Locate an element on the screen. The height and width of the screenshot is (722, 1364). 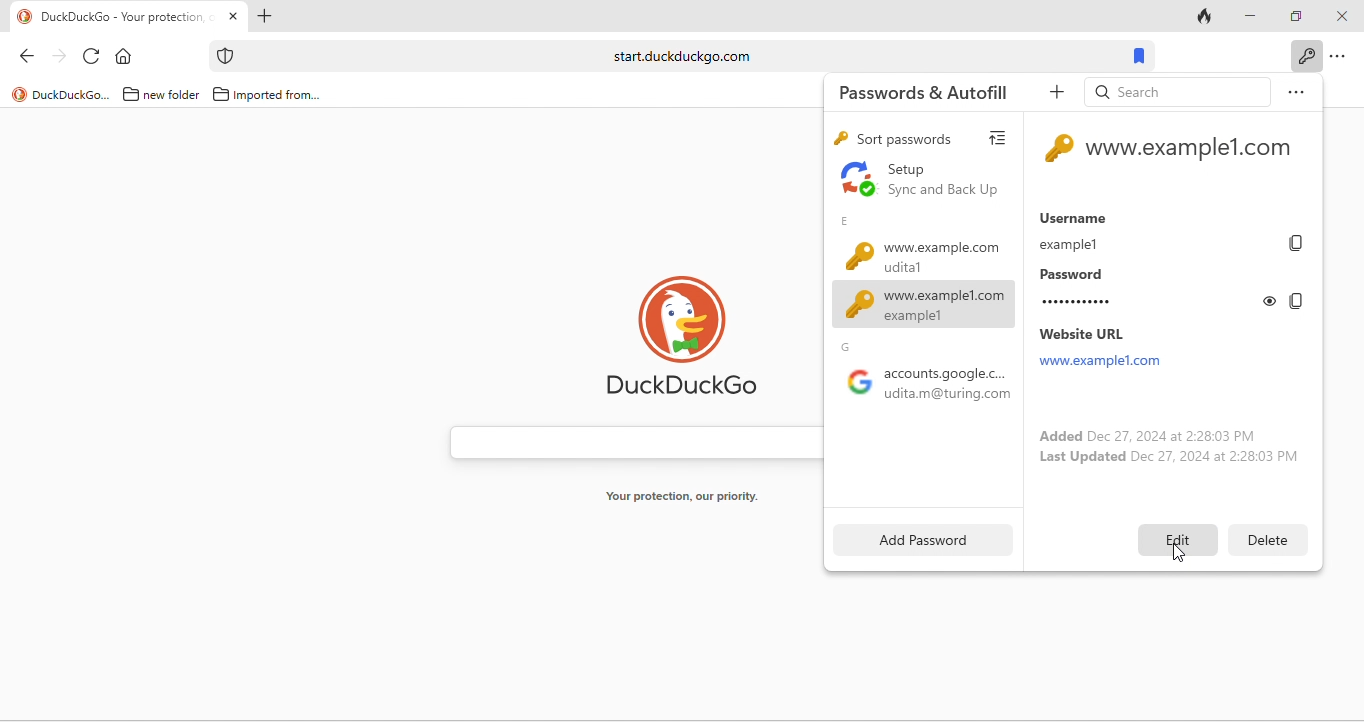
your protection, our priority. is located at coordinates (683, 497).